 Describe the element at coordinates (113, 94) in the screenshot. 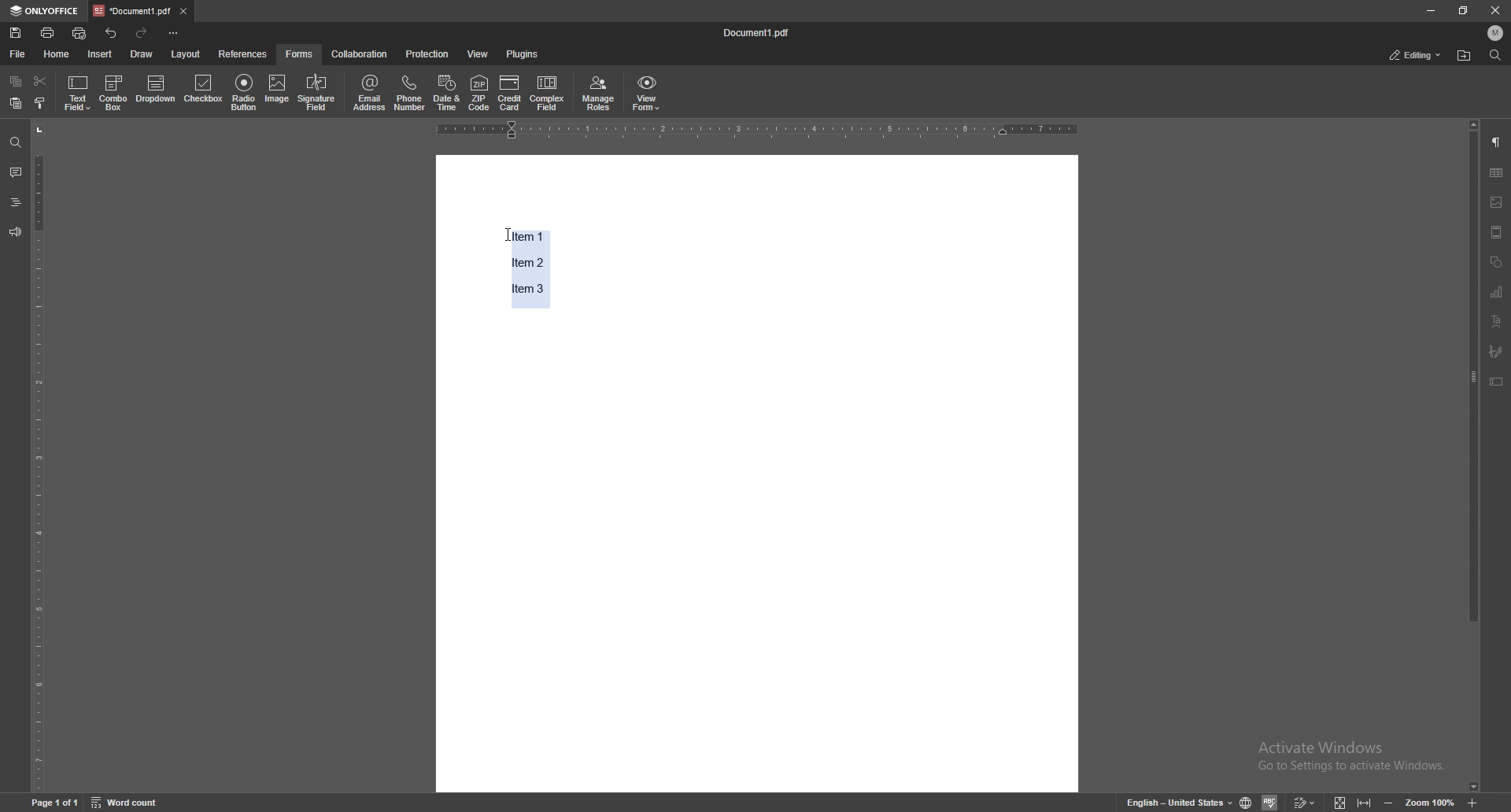

I see `combo box` at that location.